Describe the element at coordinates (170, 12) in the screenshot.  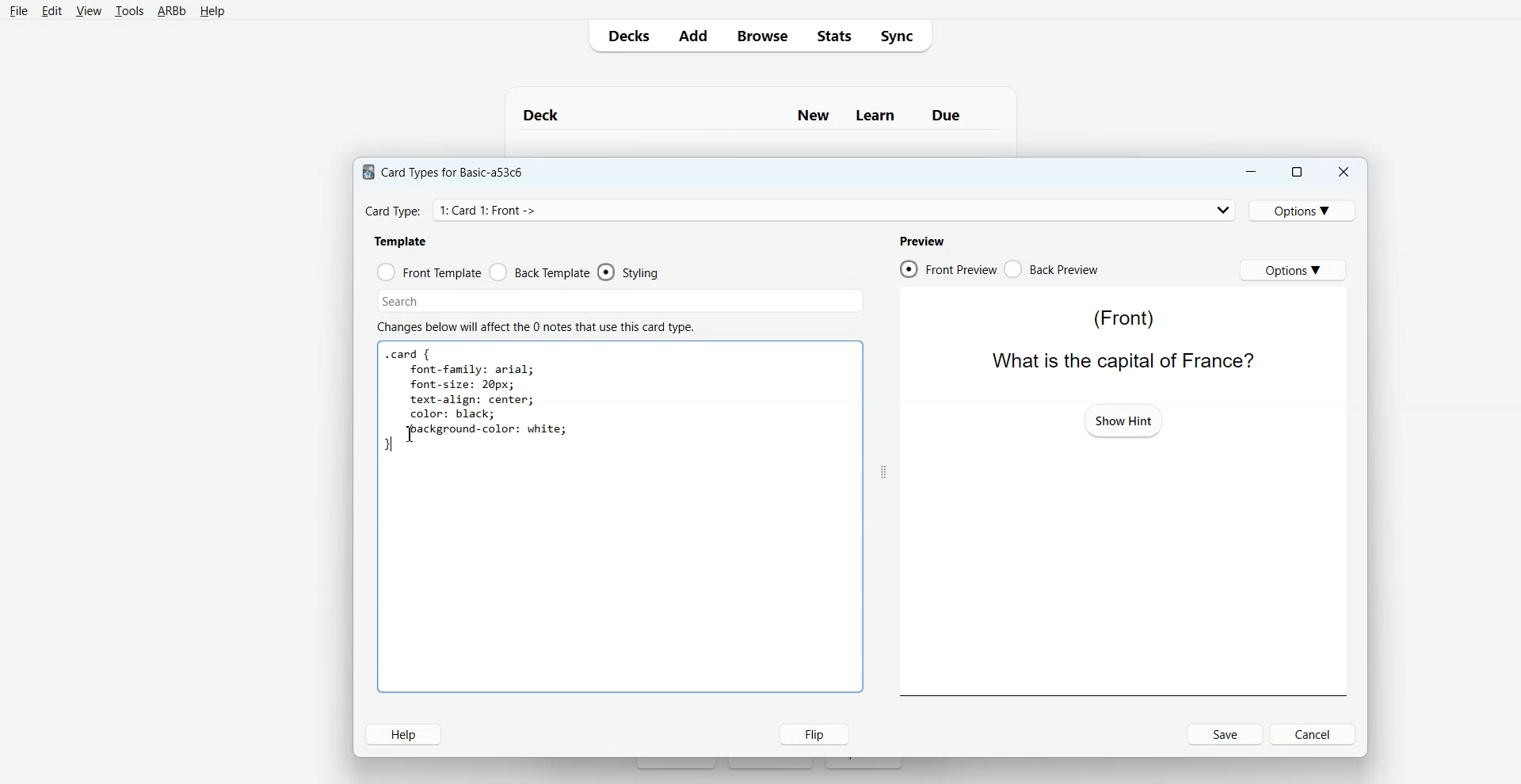
I see `ARBb` at that location.